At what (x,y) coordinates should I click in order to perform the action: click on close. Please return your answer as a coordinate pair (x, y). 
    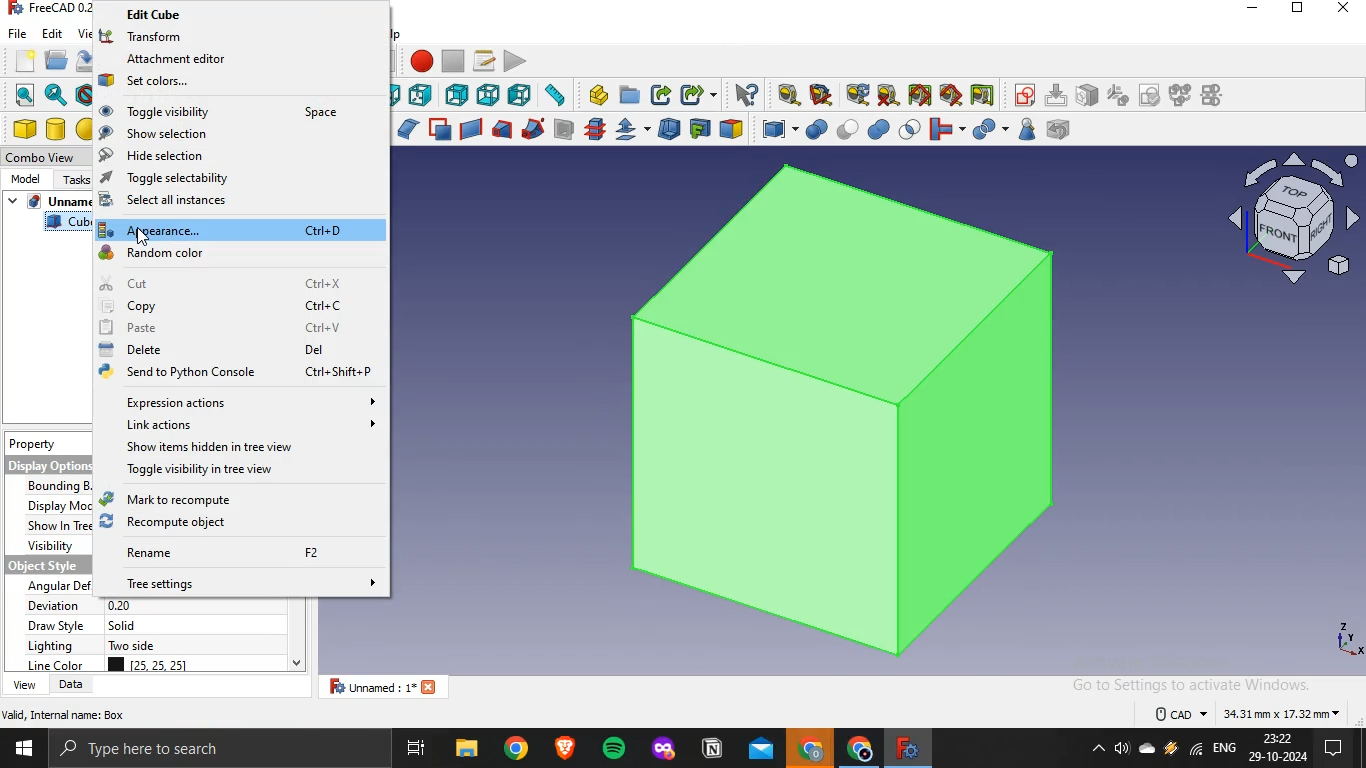
    Looking at the image, I should click on (1345, 9).